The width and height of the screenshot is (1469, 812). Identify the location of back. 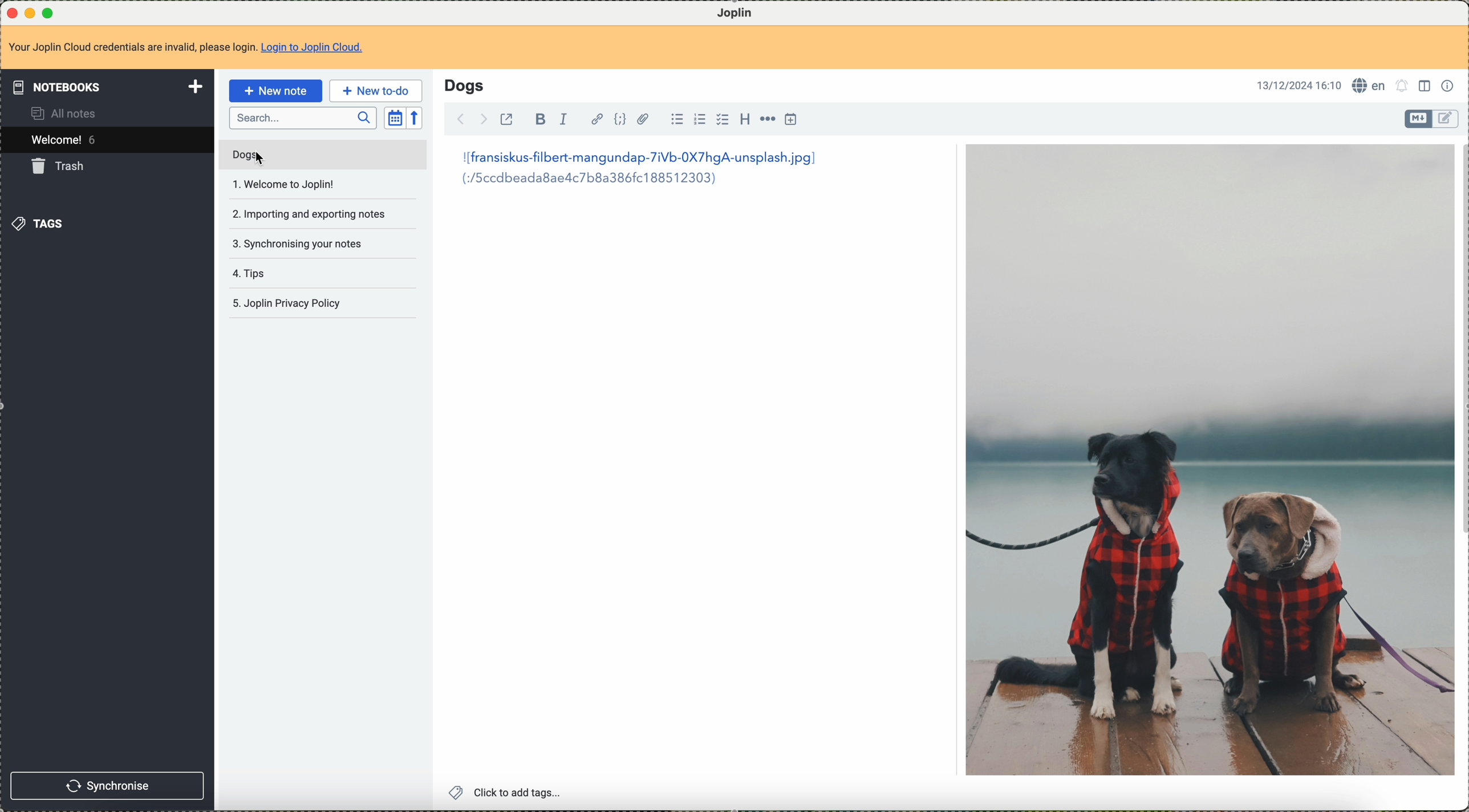
(462, 119).